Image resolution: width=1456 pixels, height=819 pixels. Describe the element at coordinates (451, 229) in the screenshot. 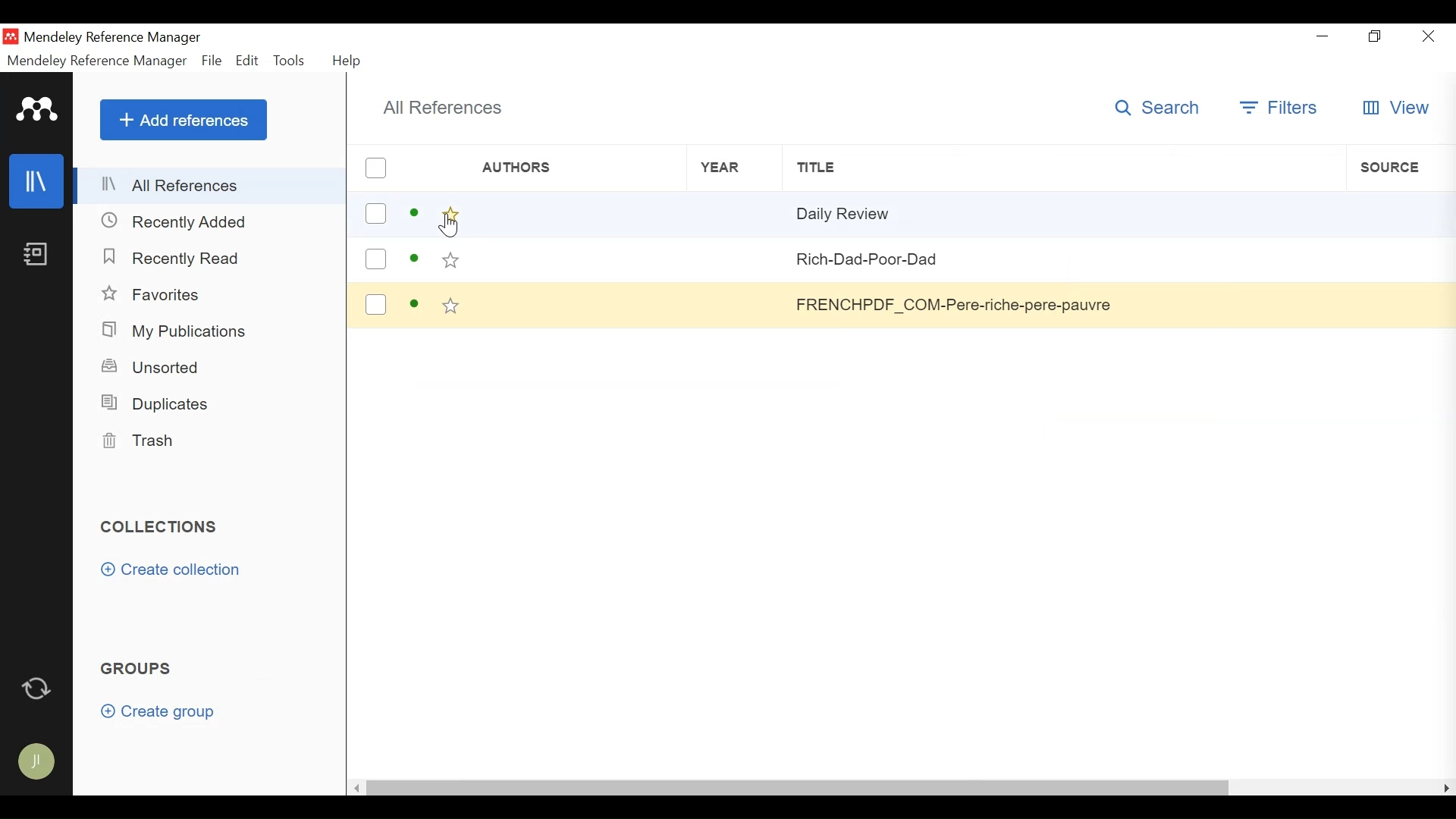

I see `Cursor ` at that location.